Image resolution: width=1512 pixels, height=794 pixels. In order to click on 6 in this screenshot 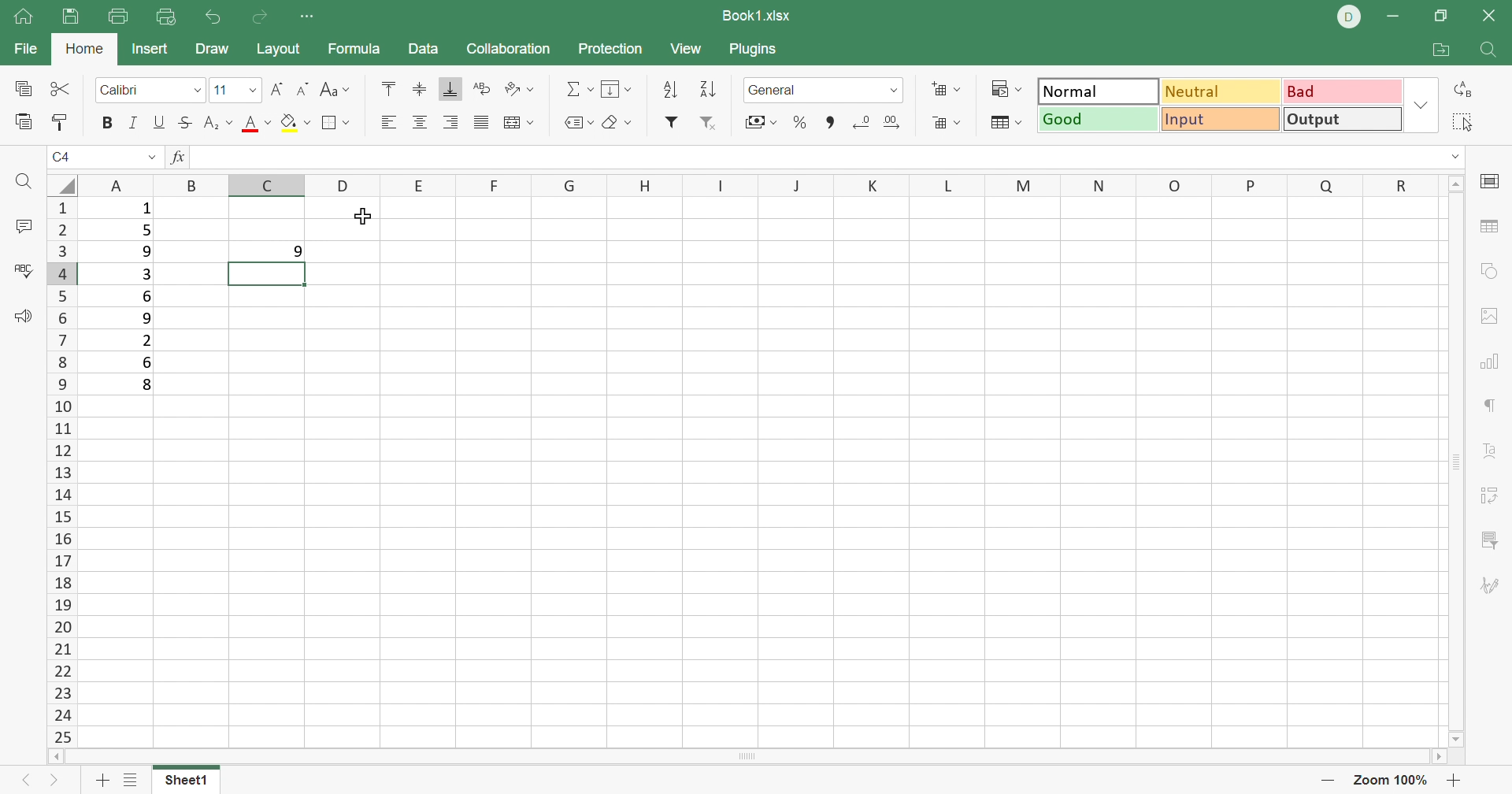, I will do `click(149, 297)`.